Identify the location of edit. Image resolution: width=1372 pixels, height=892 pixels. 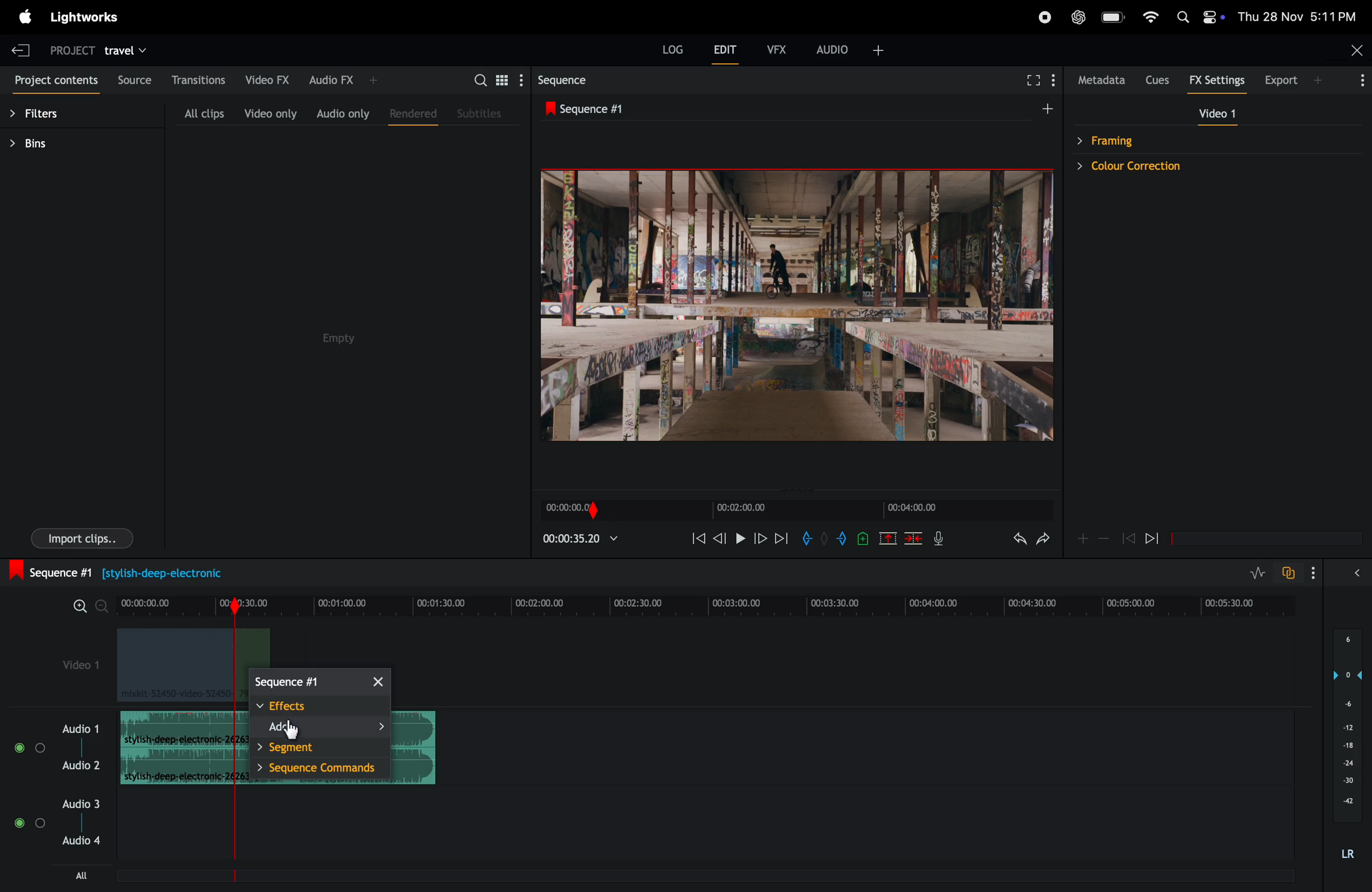
(728, 52).